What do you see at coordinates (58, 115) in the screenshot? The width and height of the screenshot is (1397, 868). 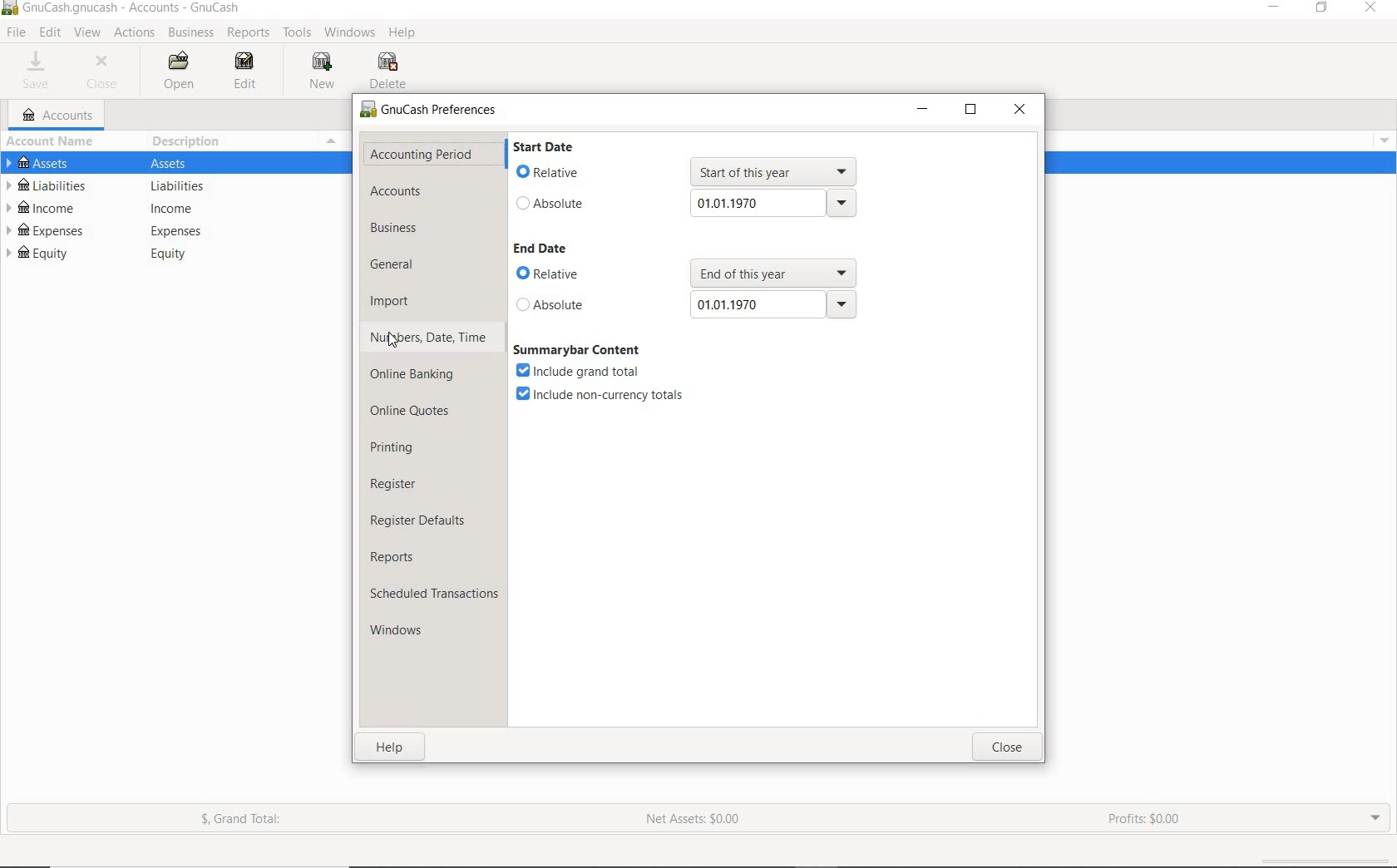 I see `ACCOUNTS` at bounding box center [58, 115].